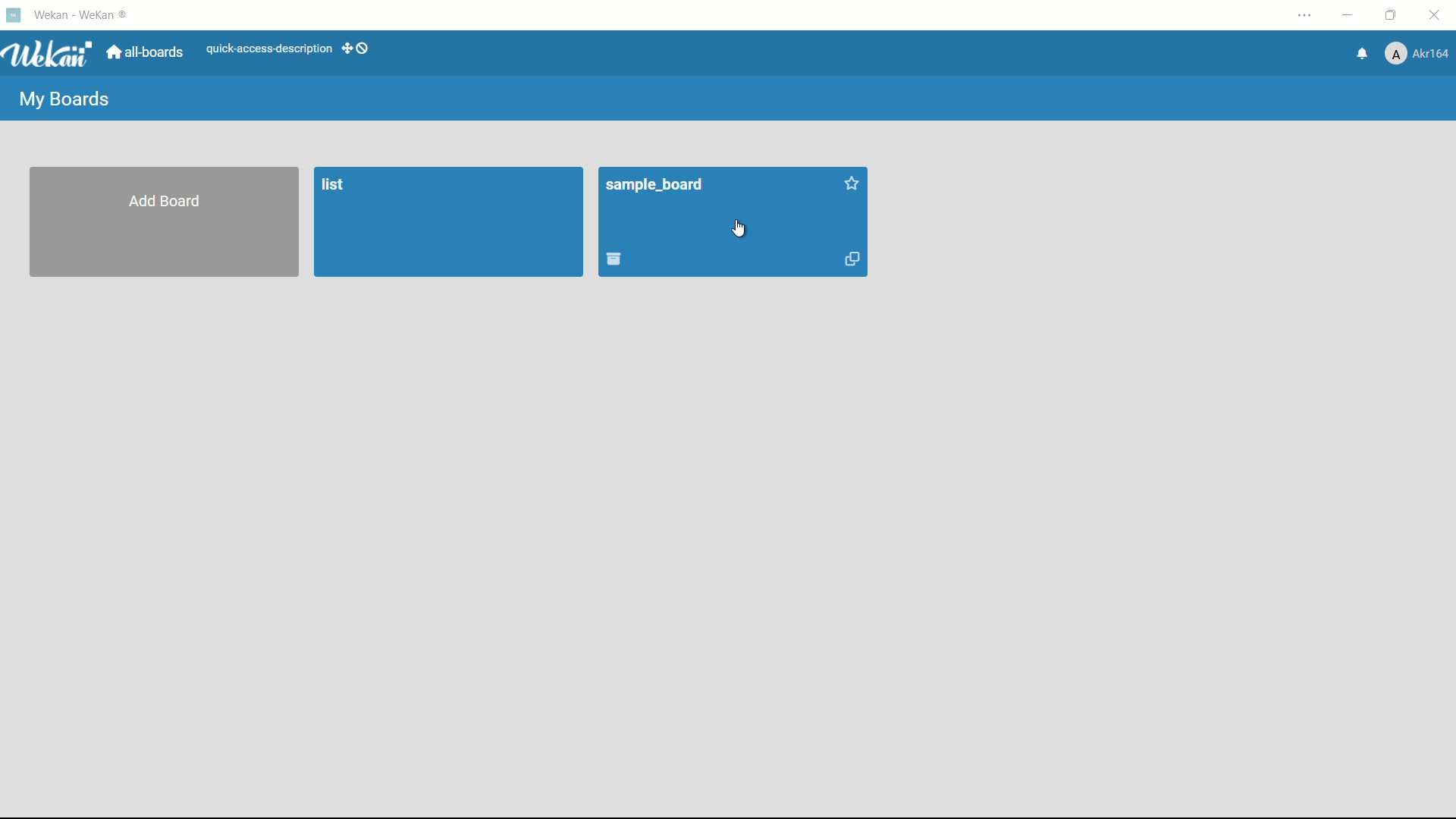 Image resolution: width=1456 pixels, height=819 pixels. What do you see at coordinates (165, 202) in the screenshot?
I see `add baord` at bounding box center [165, 202].